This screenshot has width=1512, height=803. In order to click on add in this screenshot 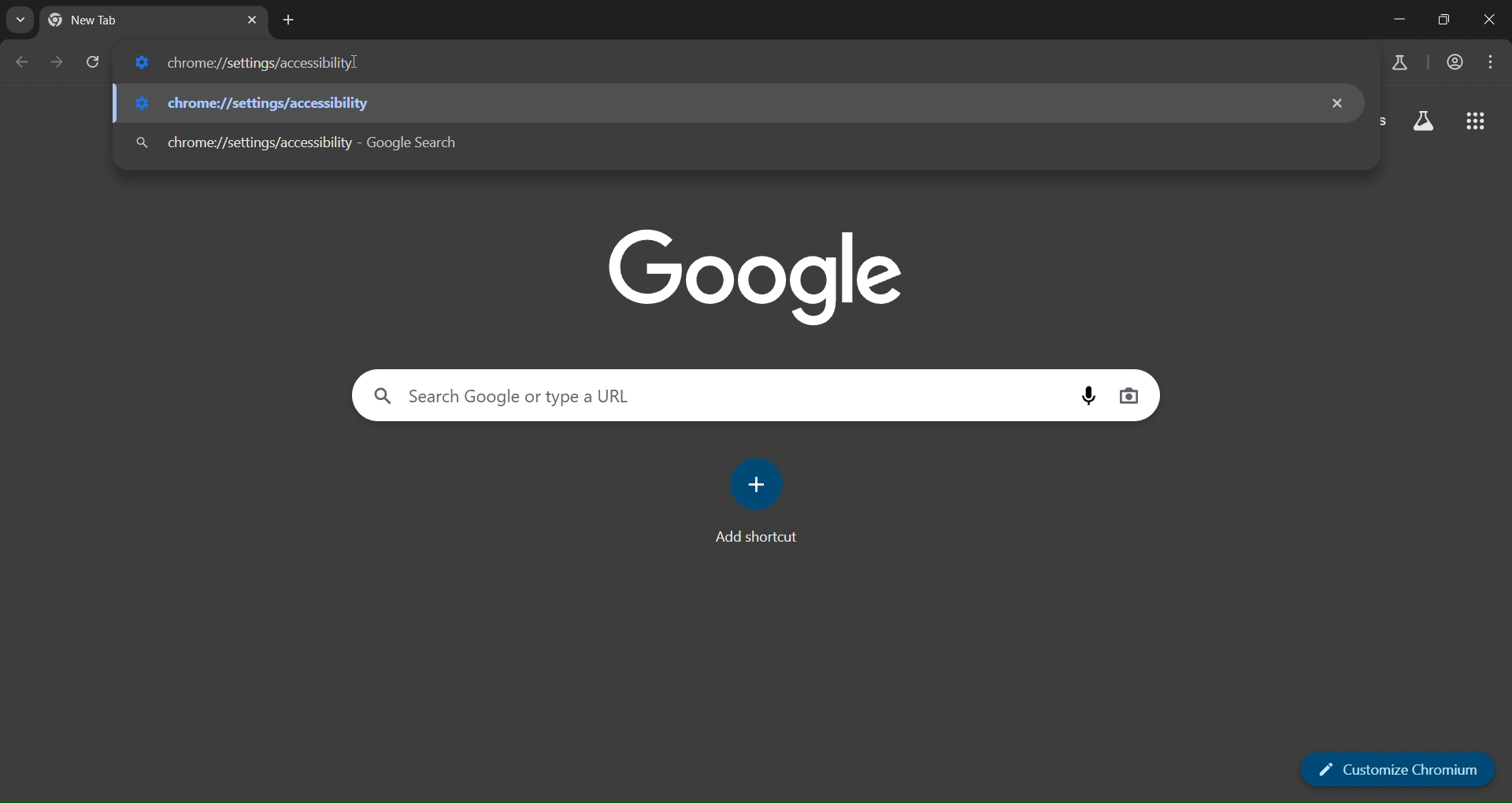, I will do `click(758, 484)`.